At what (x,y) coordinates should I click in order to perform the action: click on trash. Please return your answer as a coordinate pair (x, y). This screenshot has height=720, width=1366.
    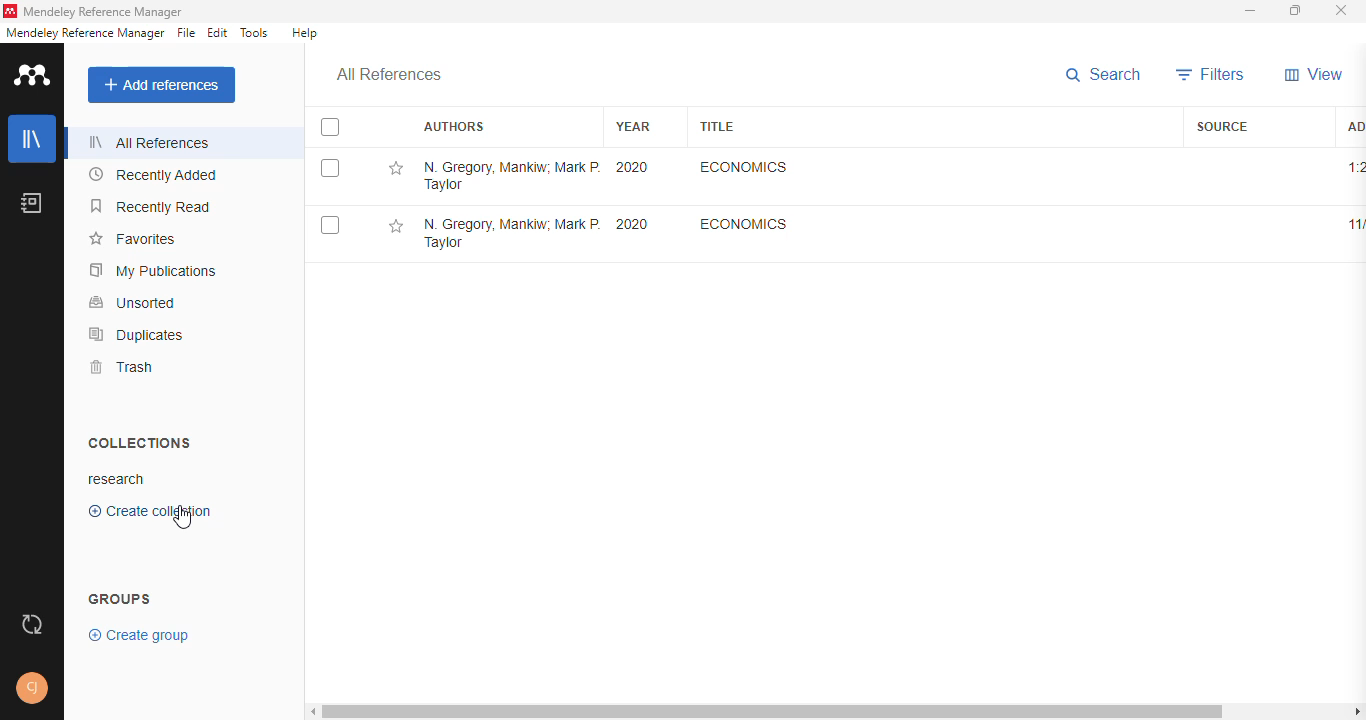
    Looking at the image, I should click on (120, 367).